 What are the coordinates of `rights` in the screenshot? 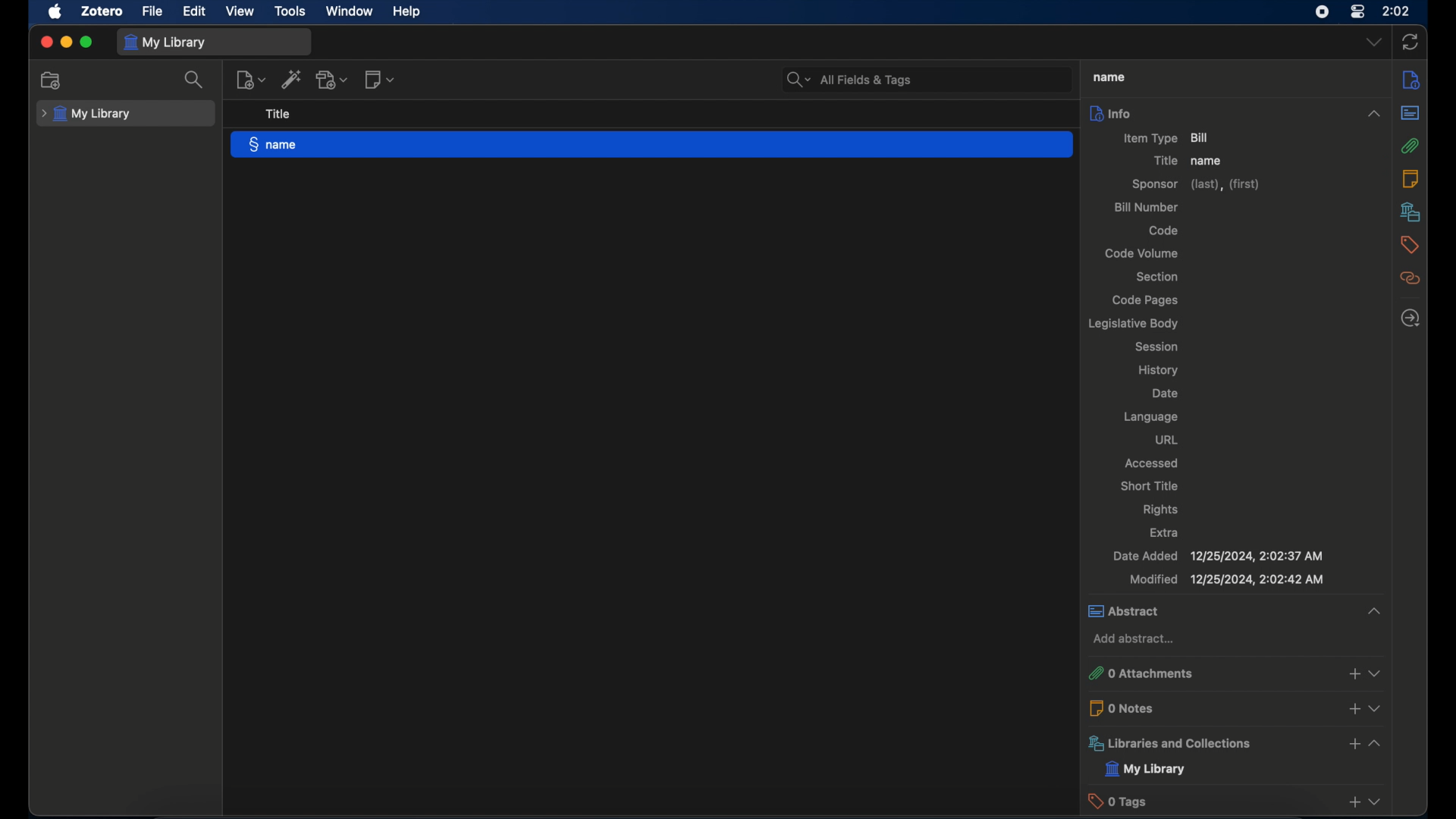 It's located at (1161, 510).